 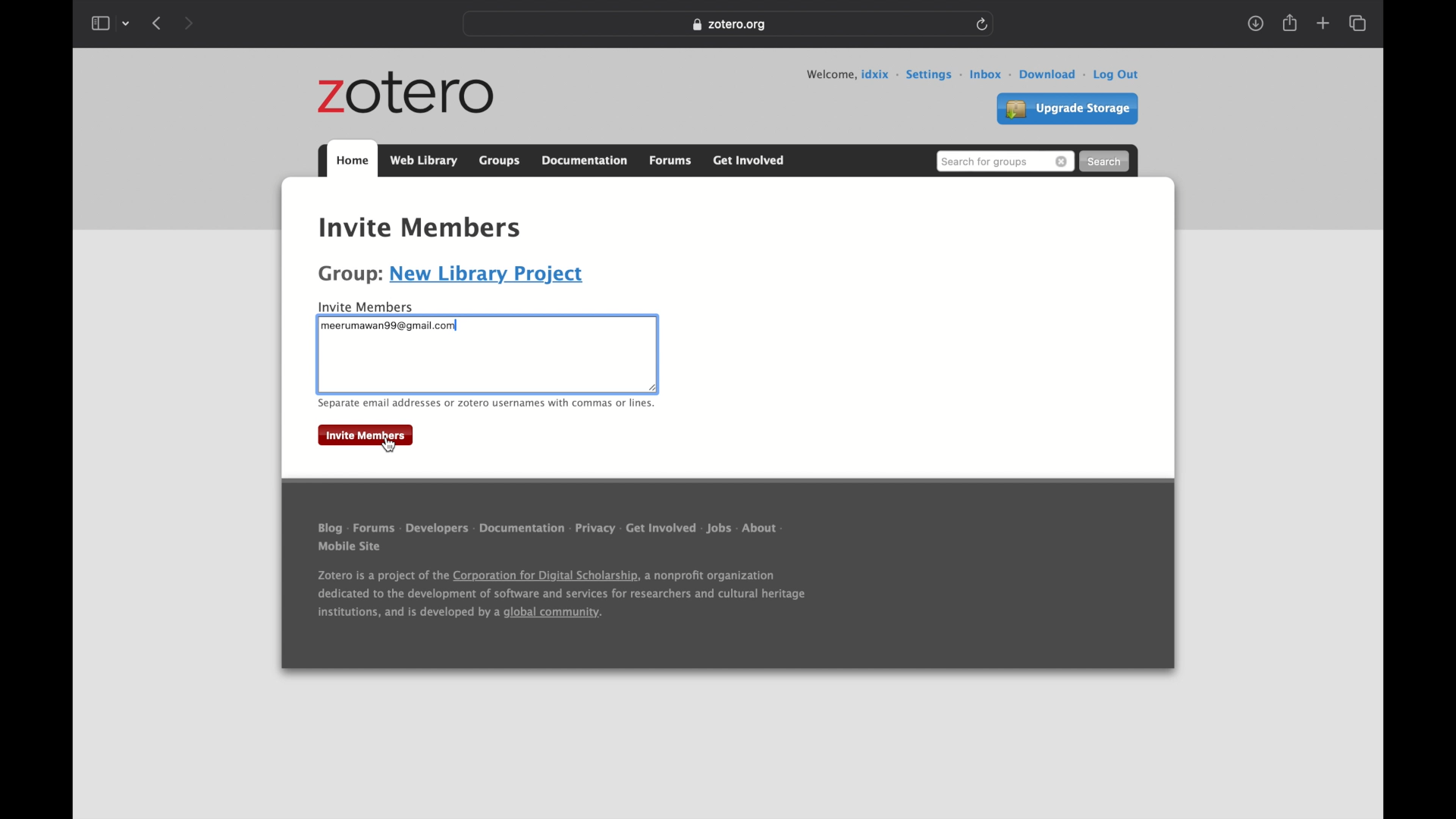 What do you see at coordinates (392, 325) in the screenshot?
I see `meerumawan99@gmail.com` at bounding box center [392, 325].